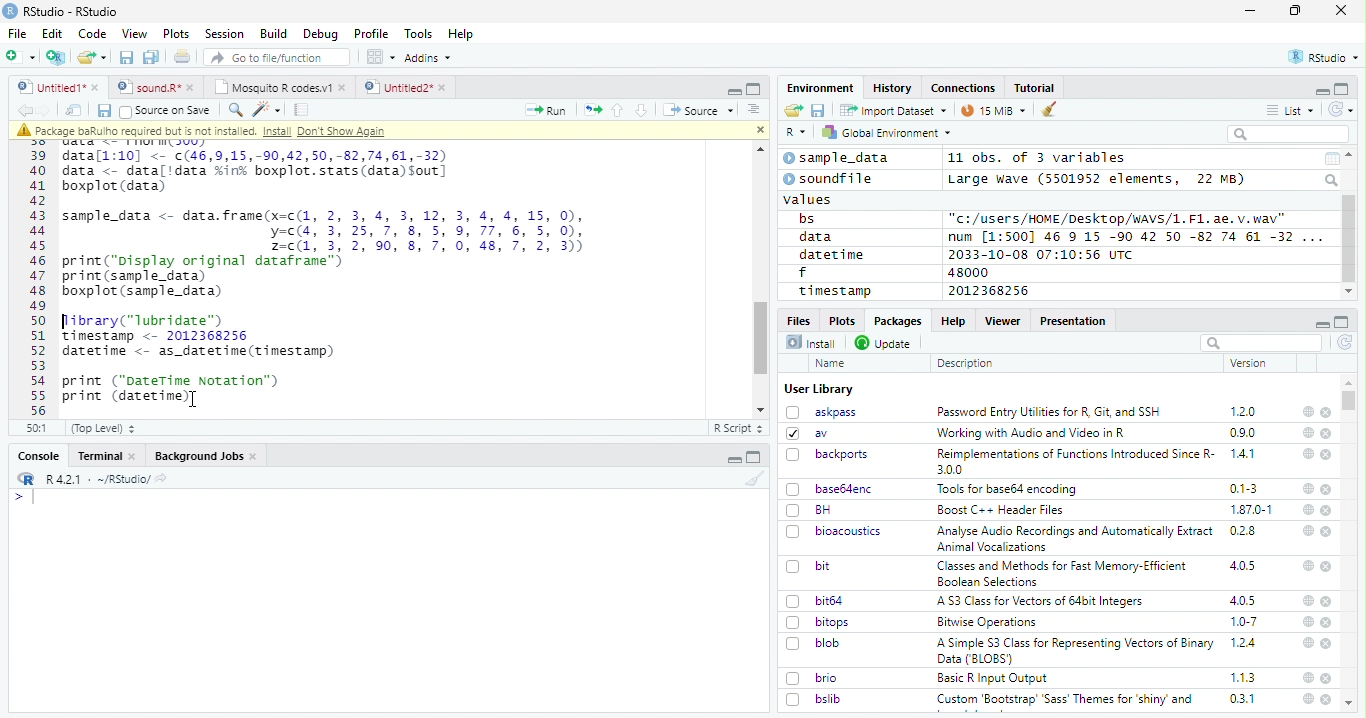  Describe the element at coordinates (381, 57) in the screenshot. I see `Workspace panes` at that location.